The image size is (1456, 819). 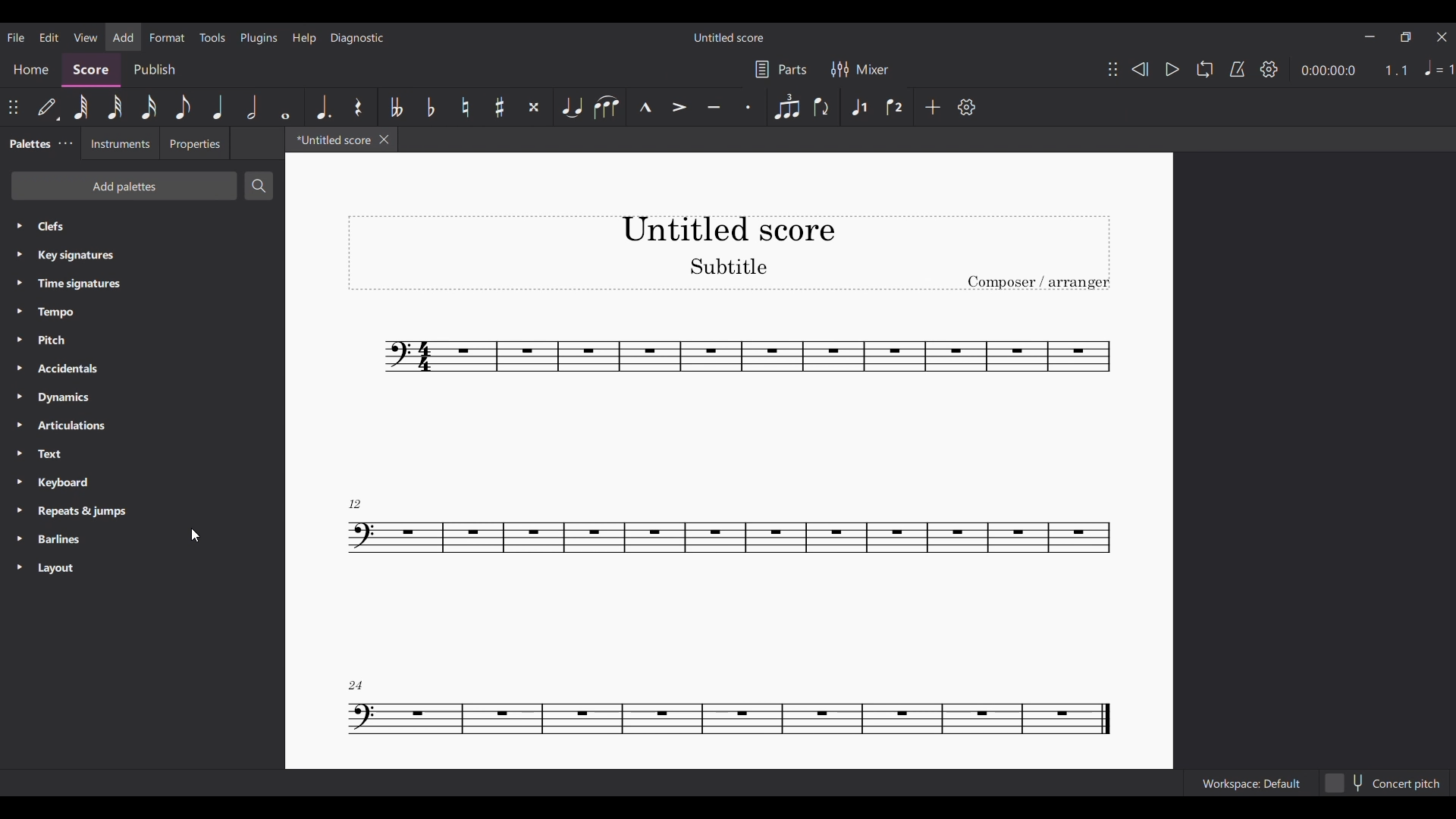 What do you see at coordinates (1442, 37) in the screenshot?
I see `Close interface` at bounding box center [1442, 37].